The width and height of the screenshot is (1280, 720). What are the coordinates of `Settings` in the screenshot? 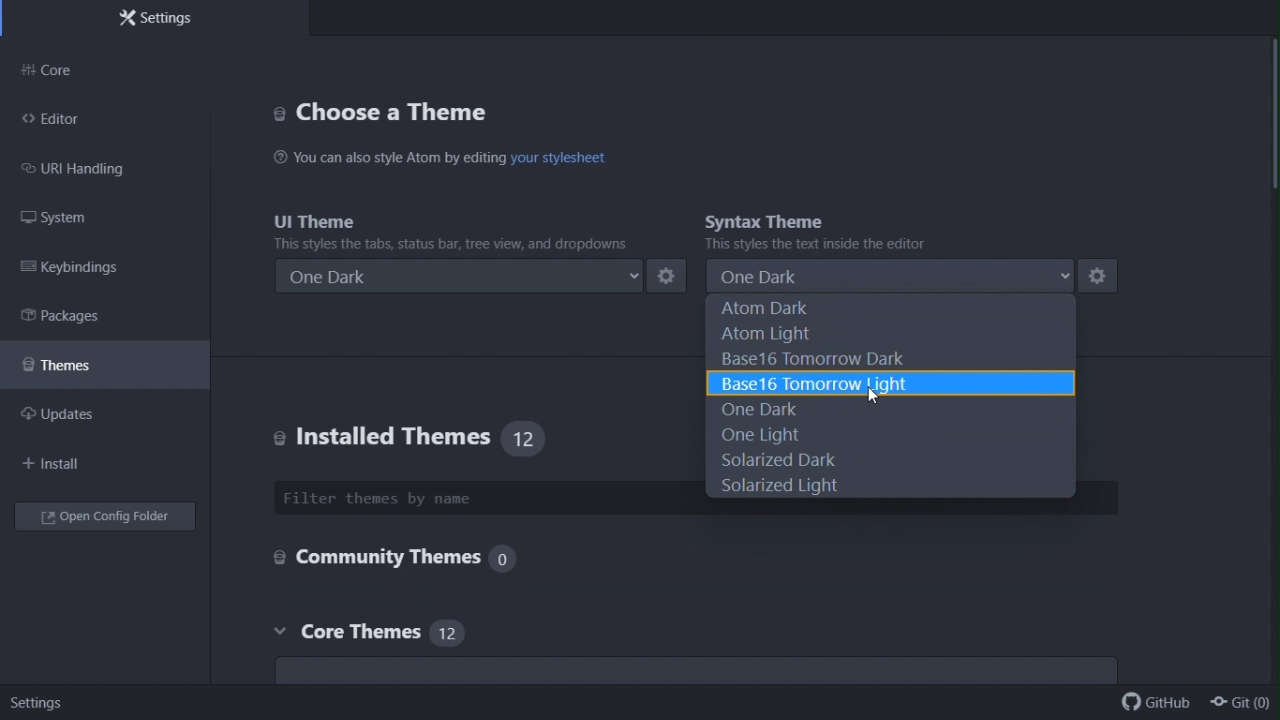 It's located at (157, 19).